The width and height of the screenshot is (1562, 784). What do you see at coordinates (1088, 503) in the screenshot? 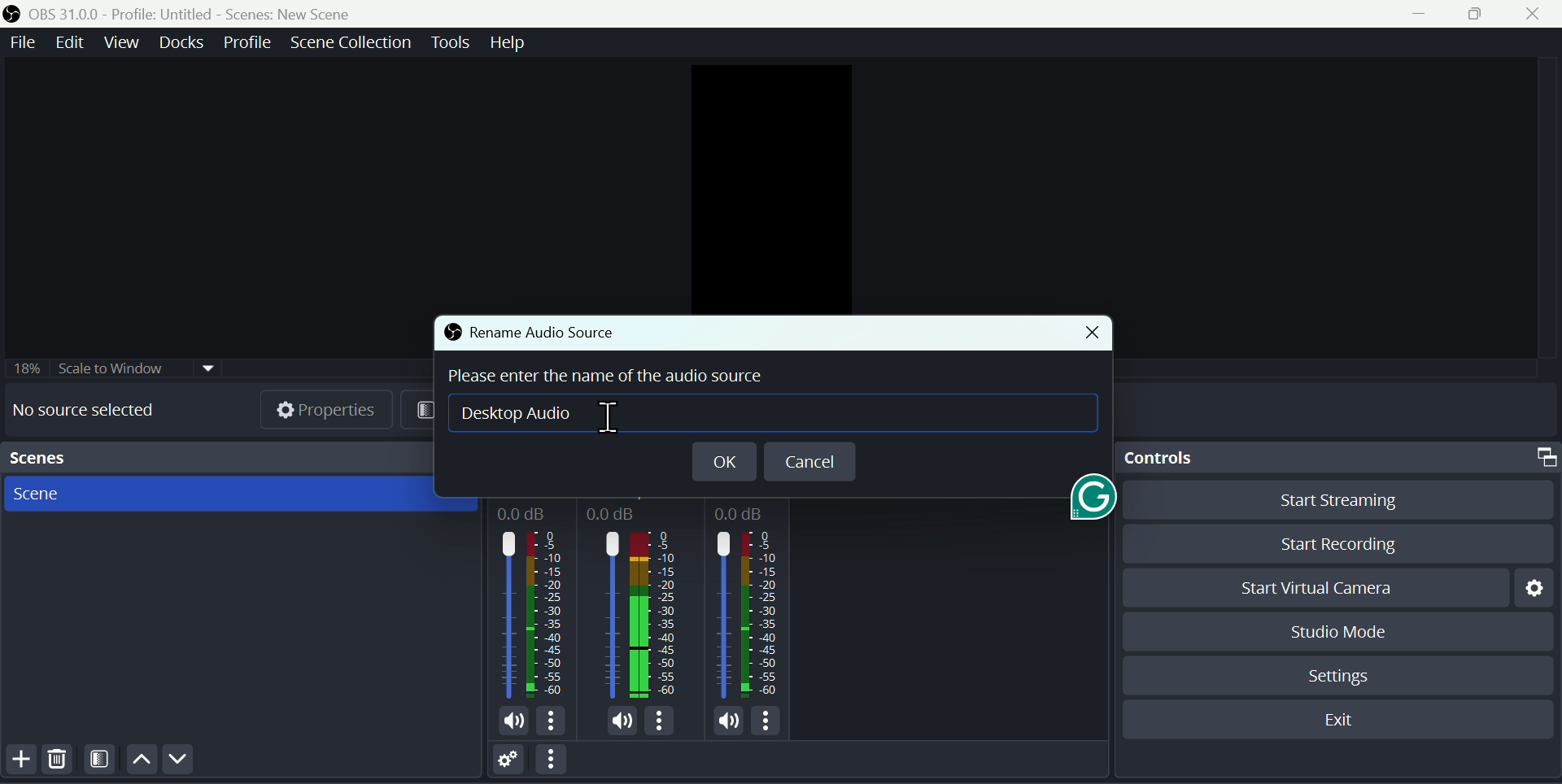
I see `Grammarly` at bounding box center [1088, 503].